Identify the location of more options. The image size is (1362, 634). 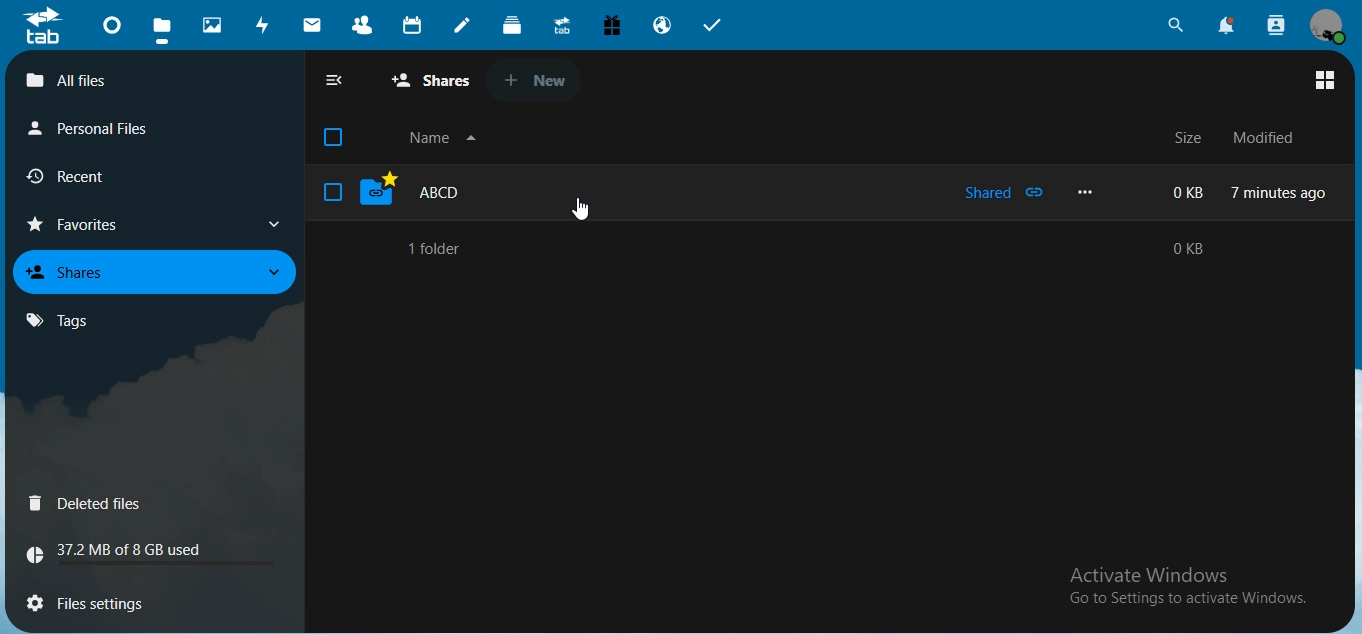
(1087, 193).